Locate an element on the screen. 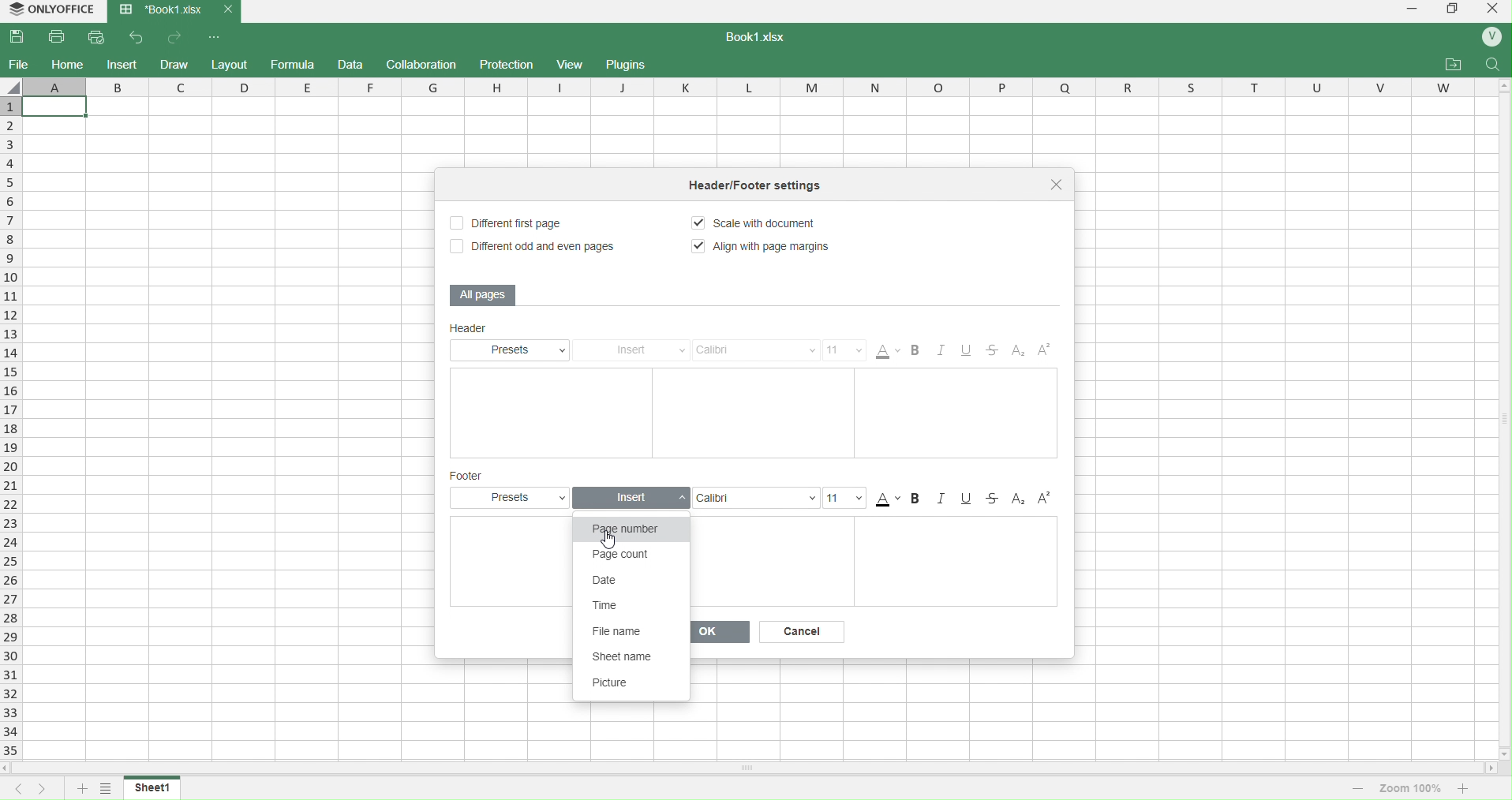  current cell is located at coordinates (54, 107).